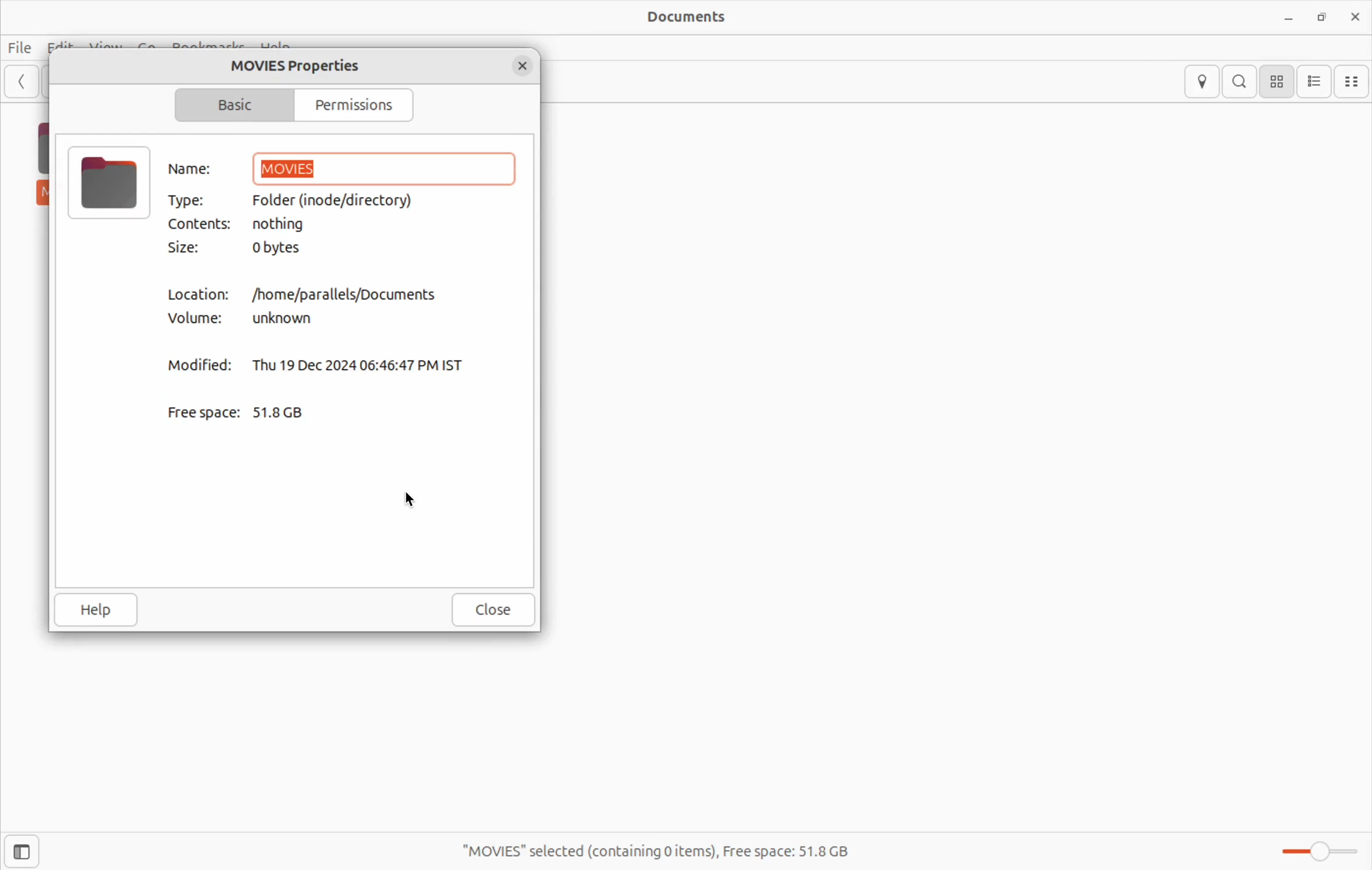 The width and height of the screenshot is (1372, 870). What do you see at coordinates (24, 85) in the screenshot?
I see `Previous` at bounding box center [24, 85].